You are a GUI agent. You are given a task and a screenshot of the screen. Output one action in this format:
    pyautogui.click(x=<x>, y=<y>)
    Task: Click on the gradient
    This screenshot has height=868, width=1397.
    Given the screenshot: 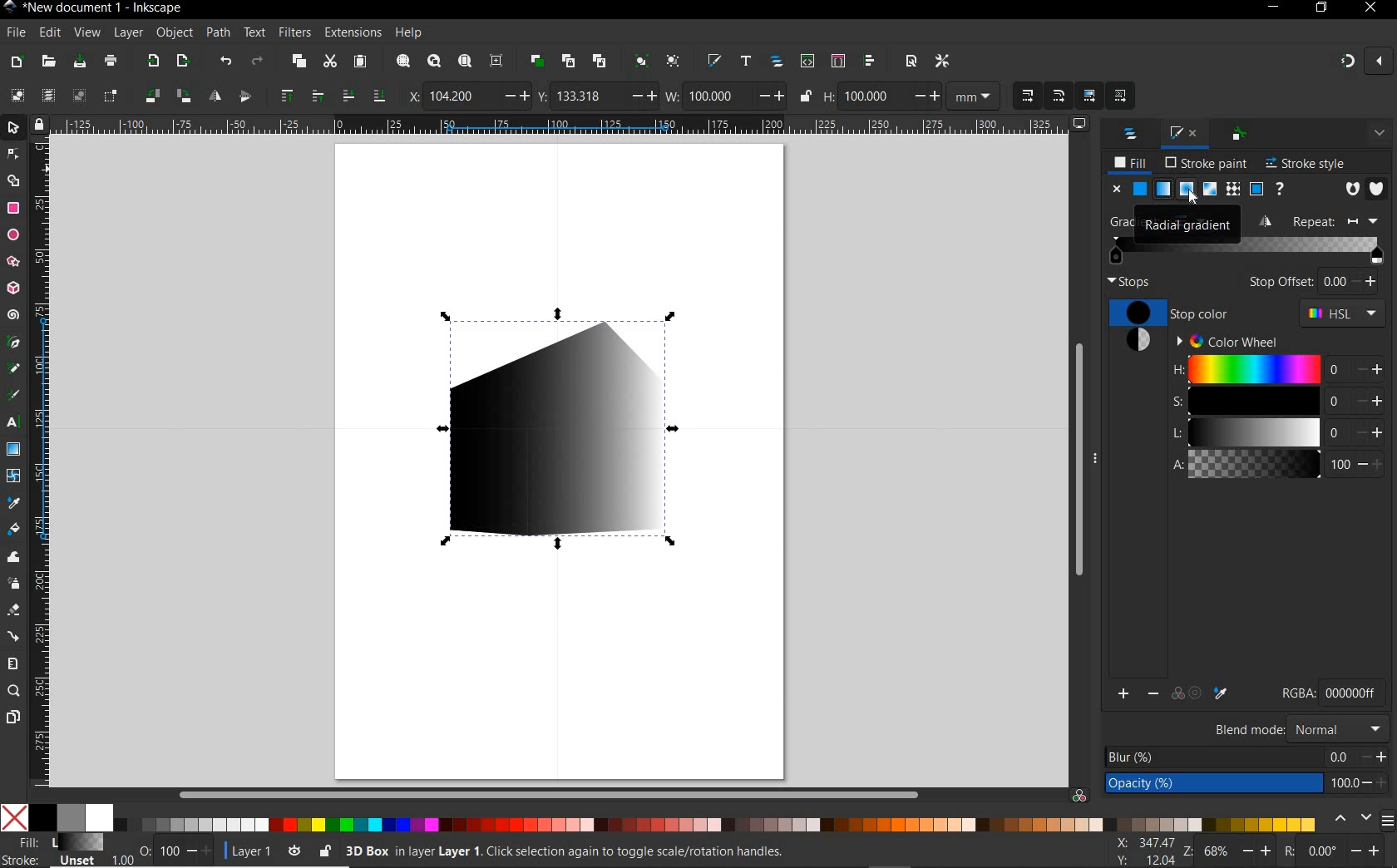 What is the action you would take?
    pyautogui.click(x=1135, y=344)
    